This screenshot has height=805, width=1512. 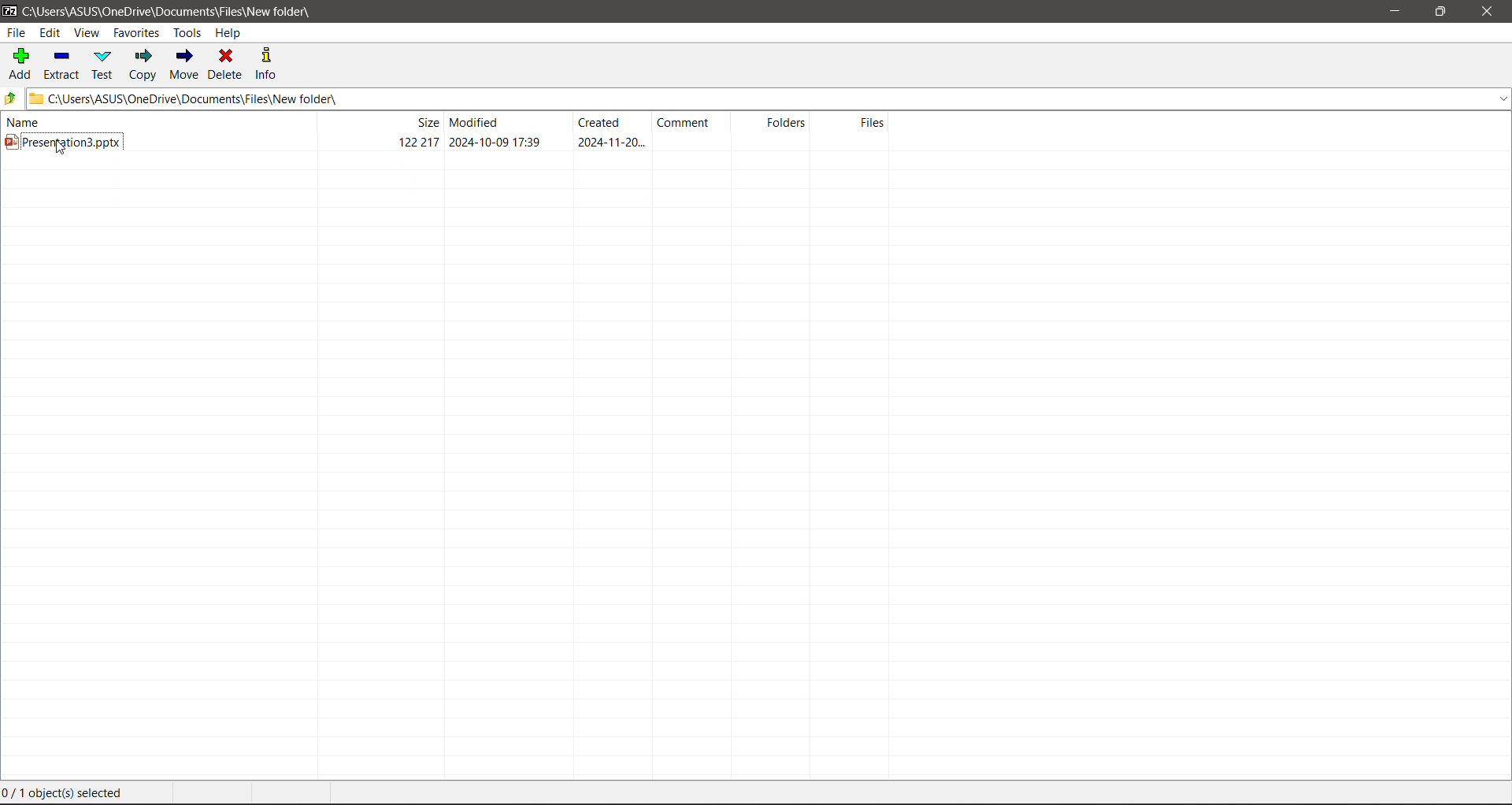 What do you see at coordinates (509, 122) in the screenshot?
I see `Modified Date` at bounding box center [509, 122].